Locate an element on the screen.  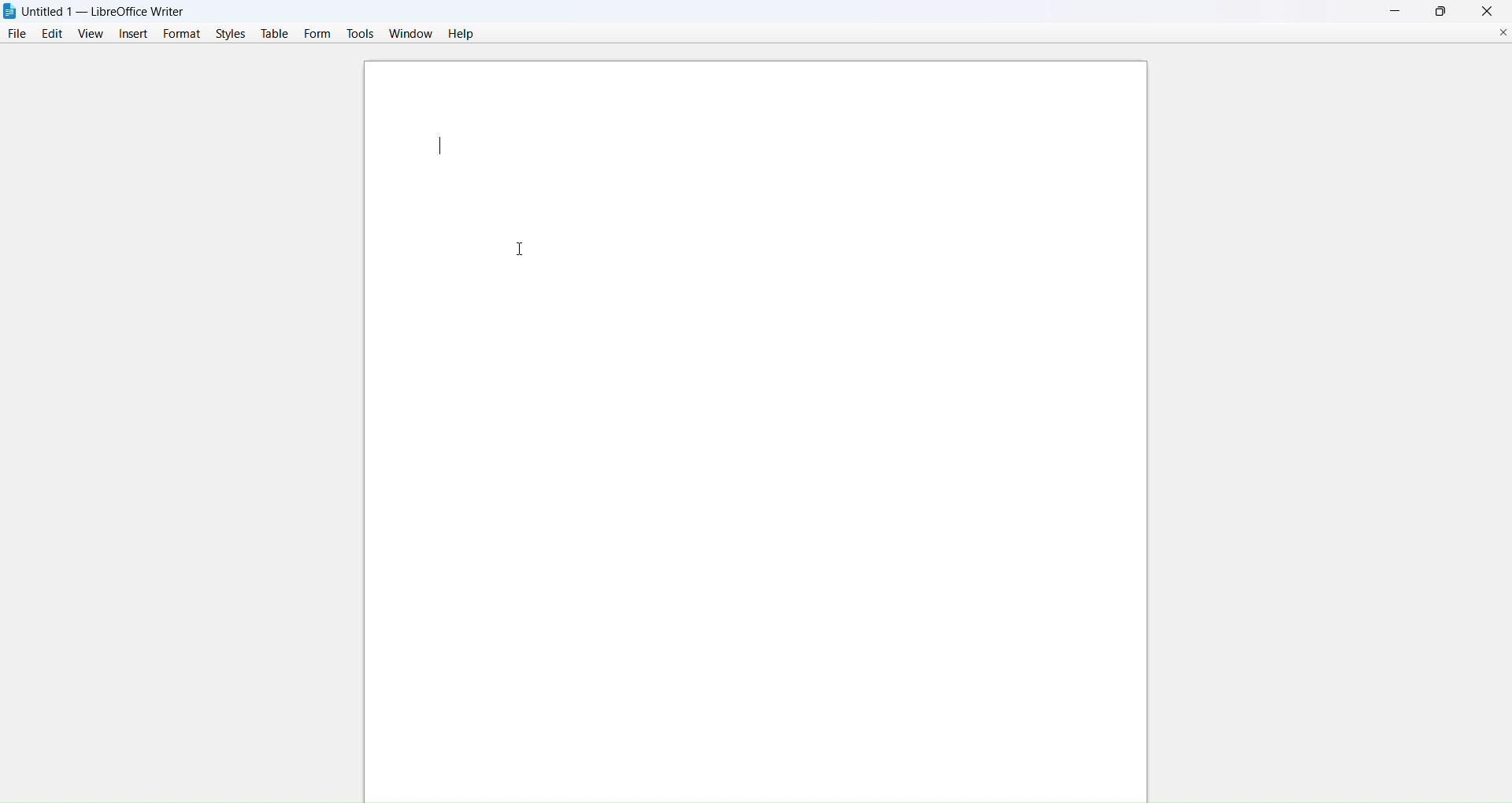
close is located at coordinates (1488, 10).